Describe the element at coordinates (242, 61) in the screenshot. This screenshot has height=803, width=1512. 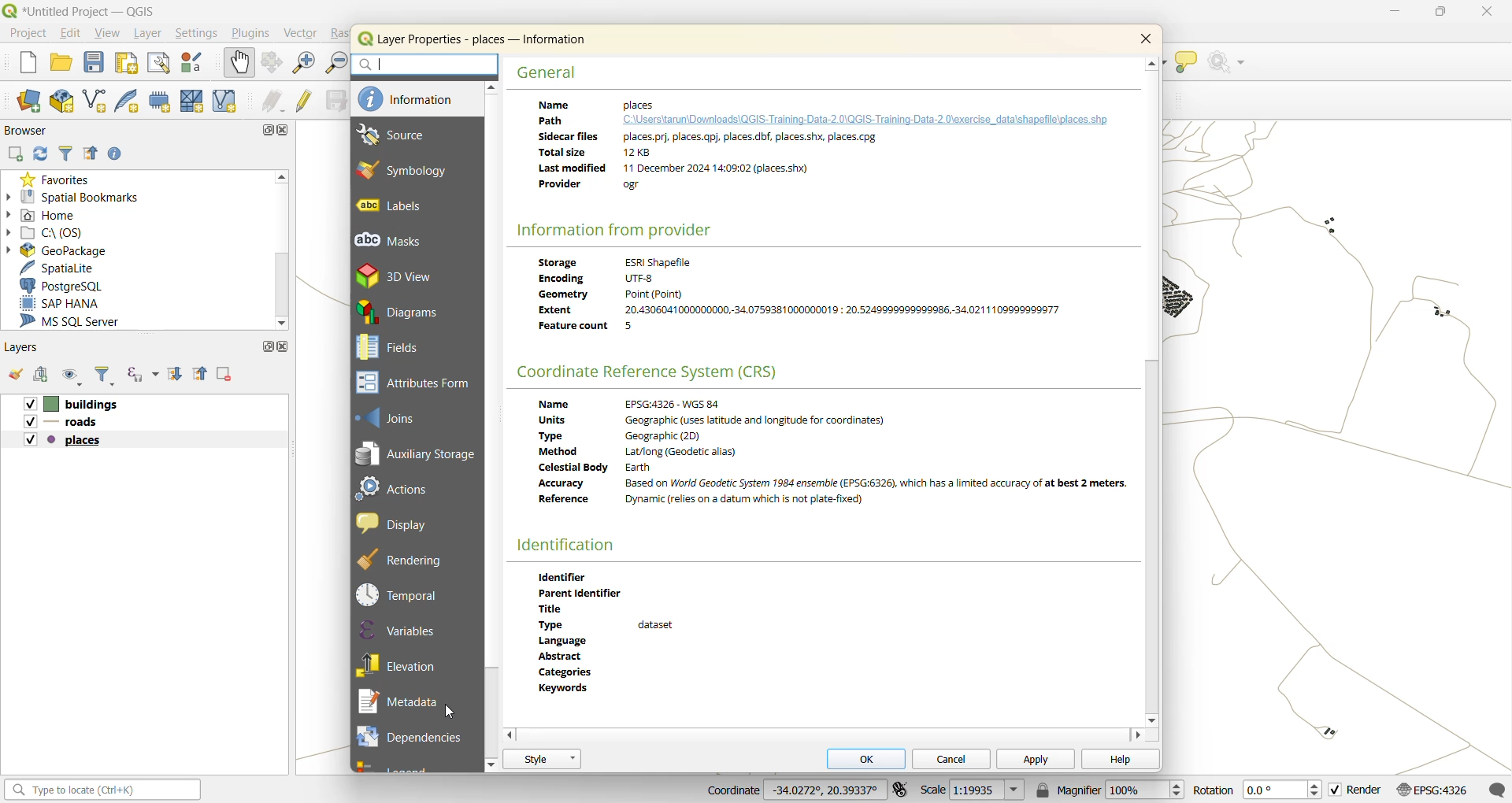
I see `pan map` at that location.